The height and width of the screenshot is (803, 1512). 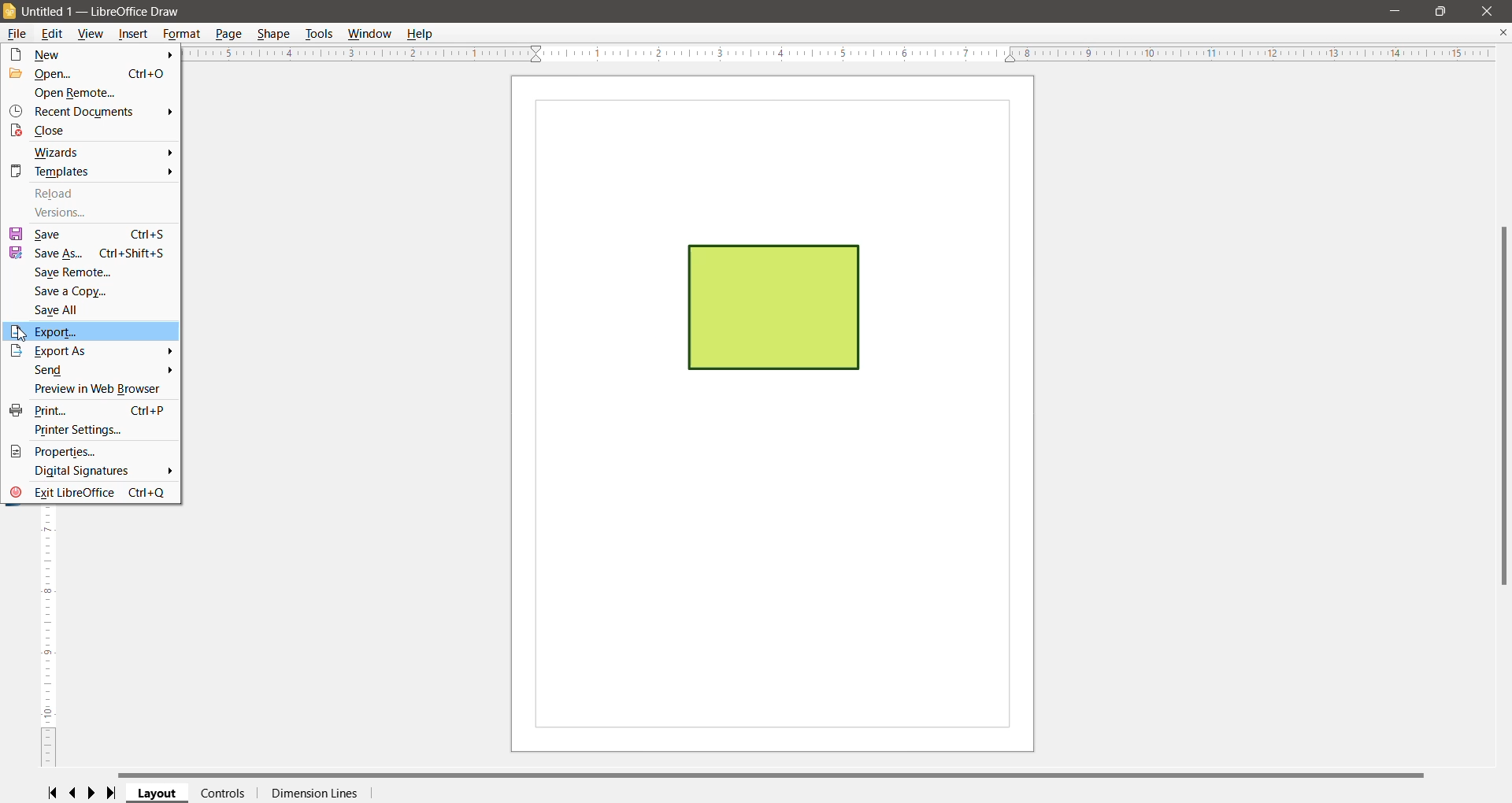 What do you see at coordinates (91, 388) in the screenshot?
I see `Preview in Web Browser` at bounding box center [91, 388].